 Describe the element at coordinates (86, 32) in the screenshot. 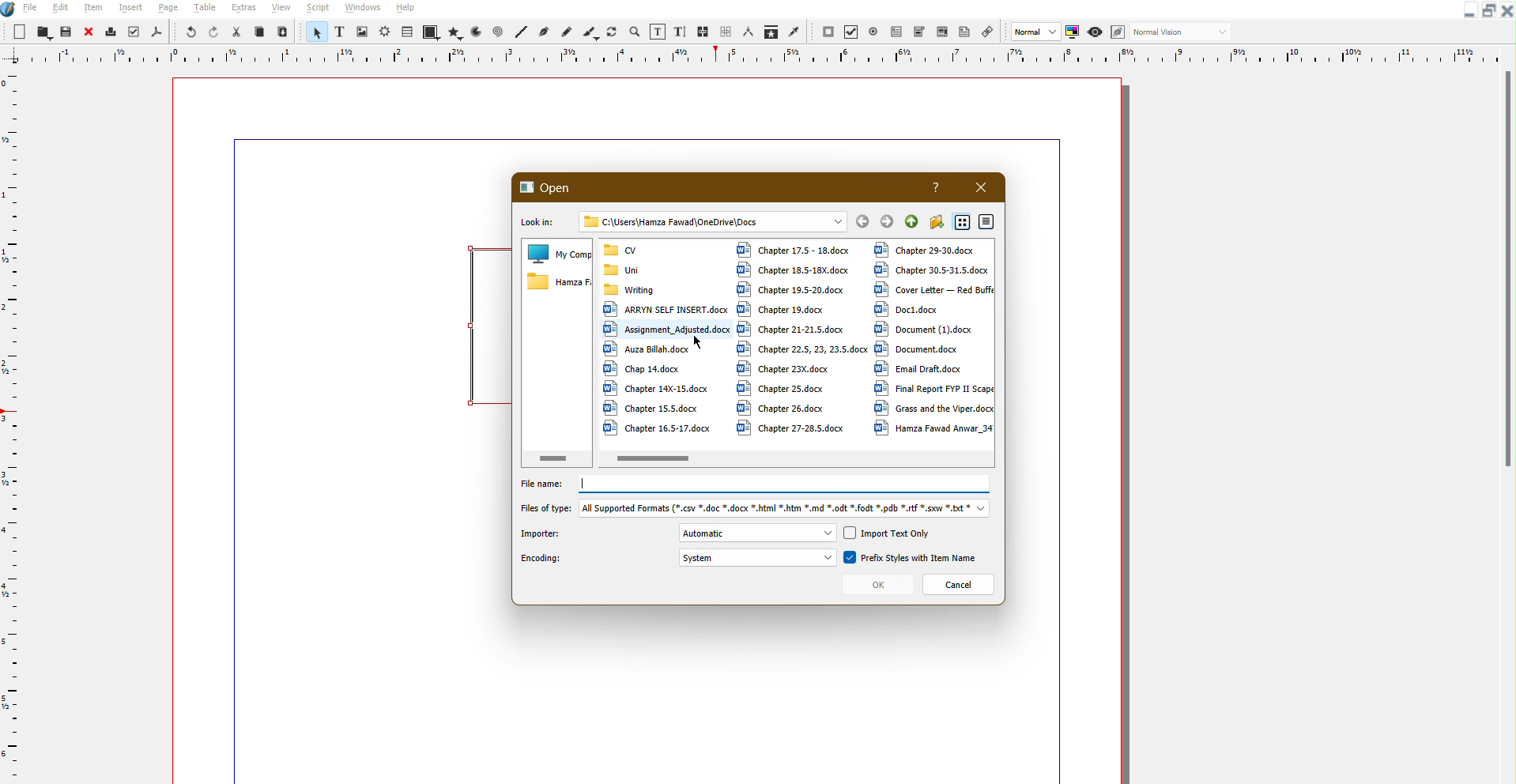

I see `Close` at that location.